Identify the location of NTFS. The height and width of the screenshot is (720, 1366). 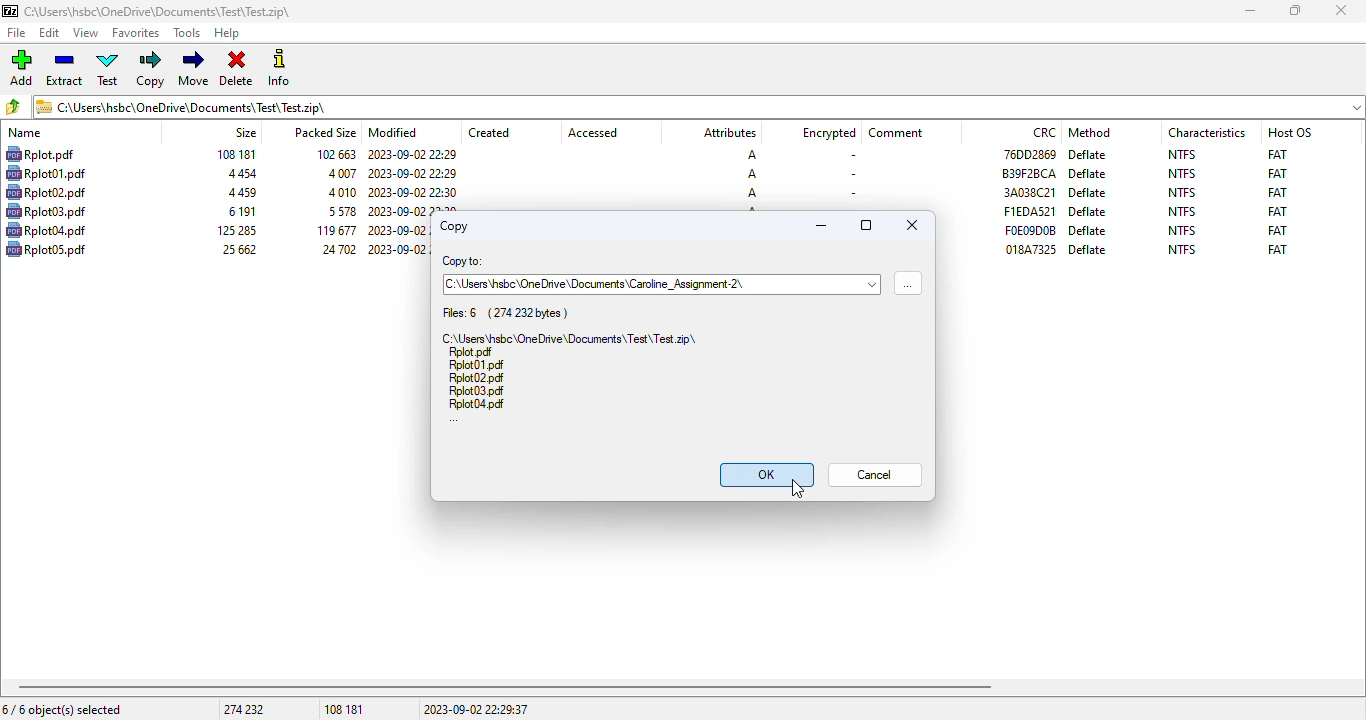
(1181, 249).